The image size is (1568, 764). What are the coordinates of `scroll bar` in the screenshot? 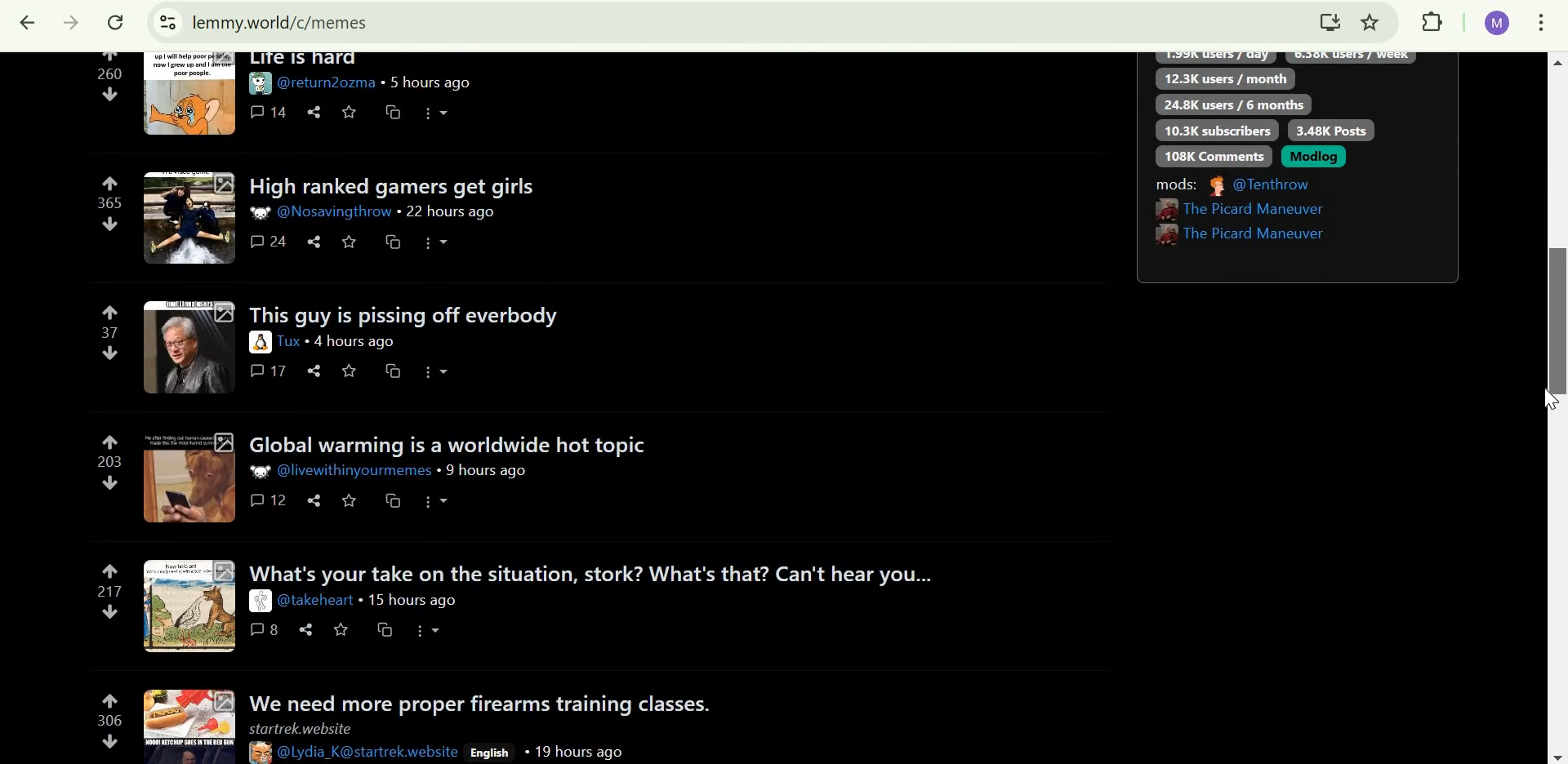 It's located at (1554, 408).